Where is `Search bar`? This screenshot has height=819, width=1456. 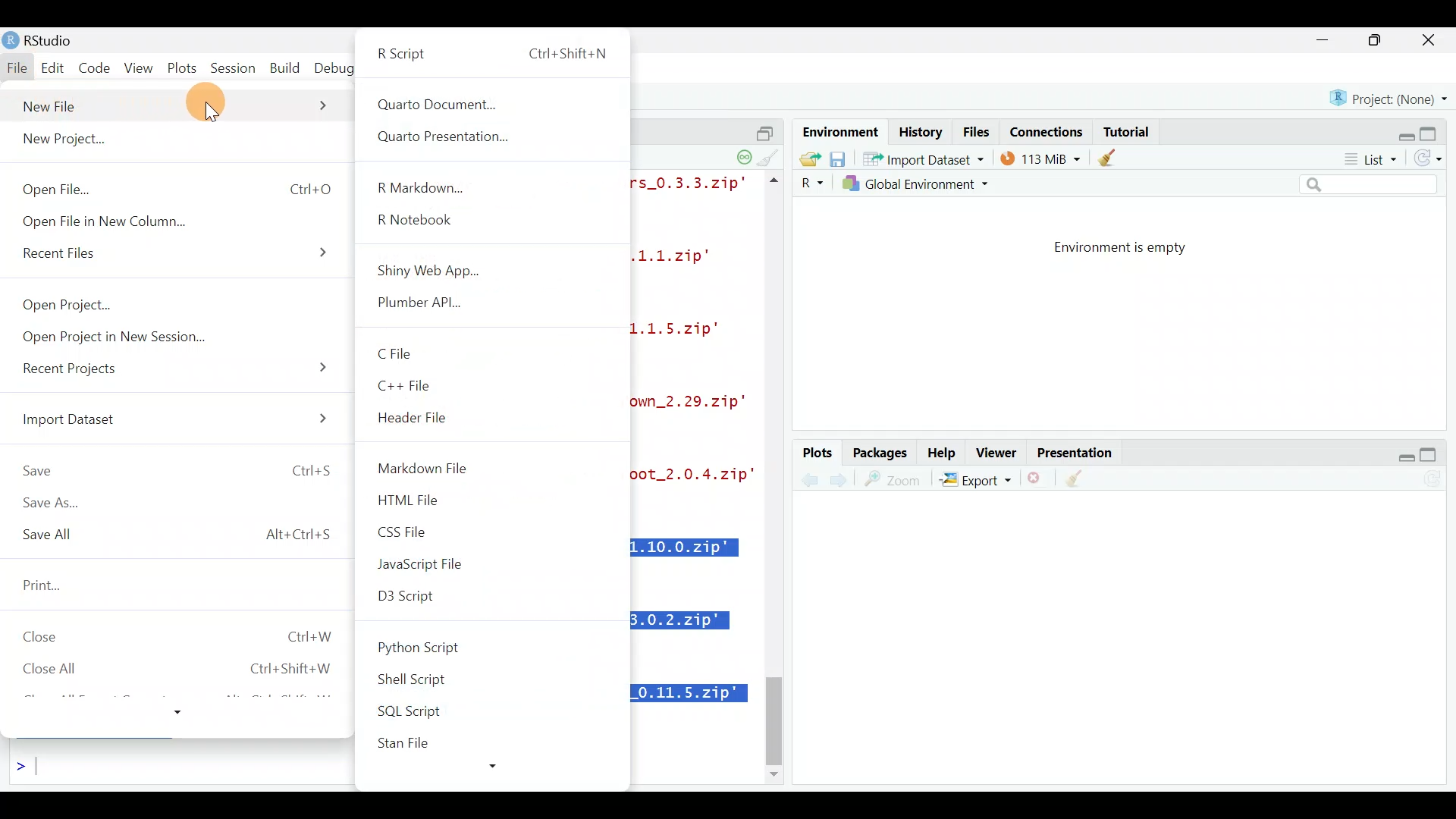
Search bar is located at coordinates (1371, 185).